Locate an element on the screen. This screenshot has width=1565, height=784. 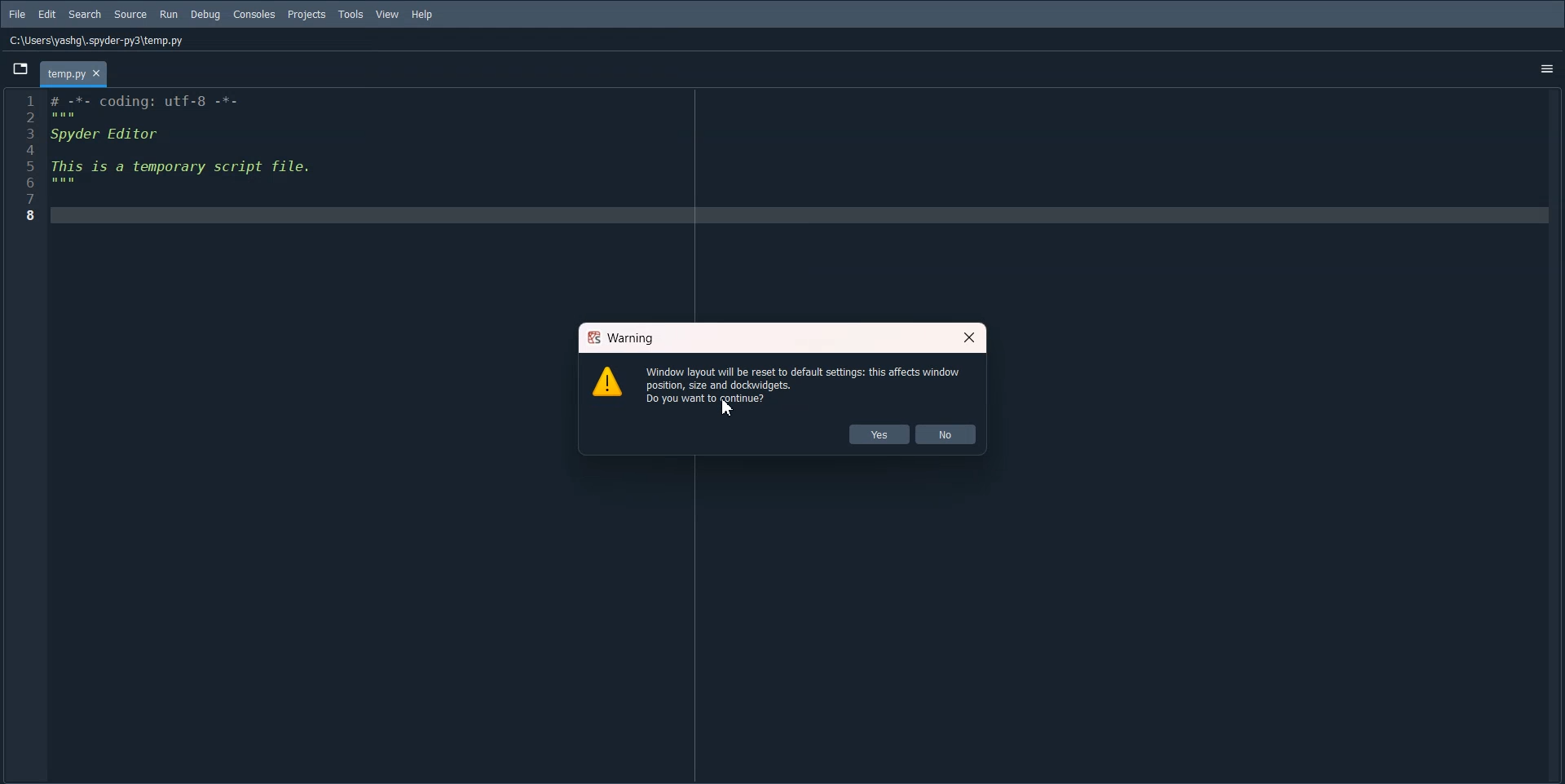
Initial code block is located at coordinates (183, 144).